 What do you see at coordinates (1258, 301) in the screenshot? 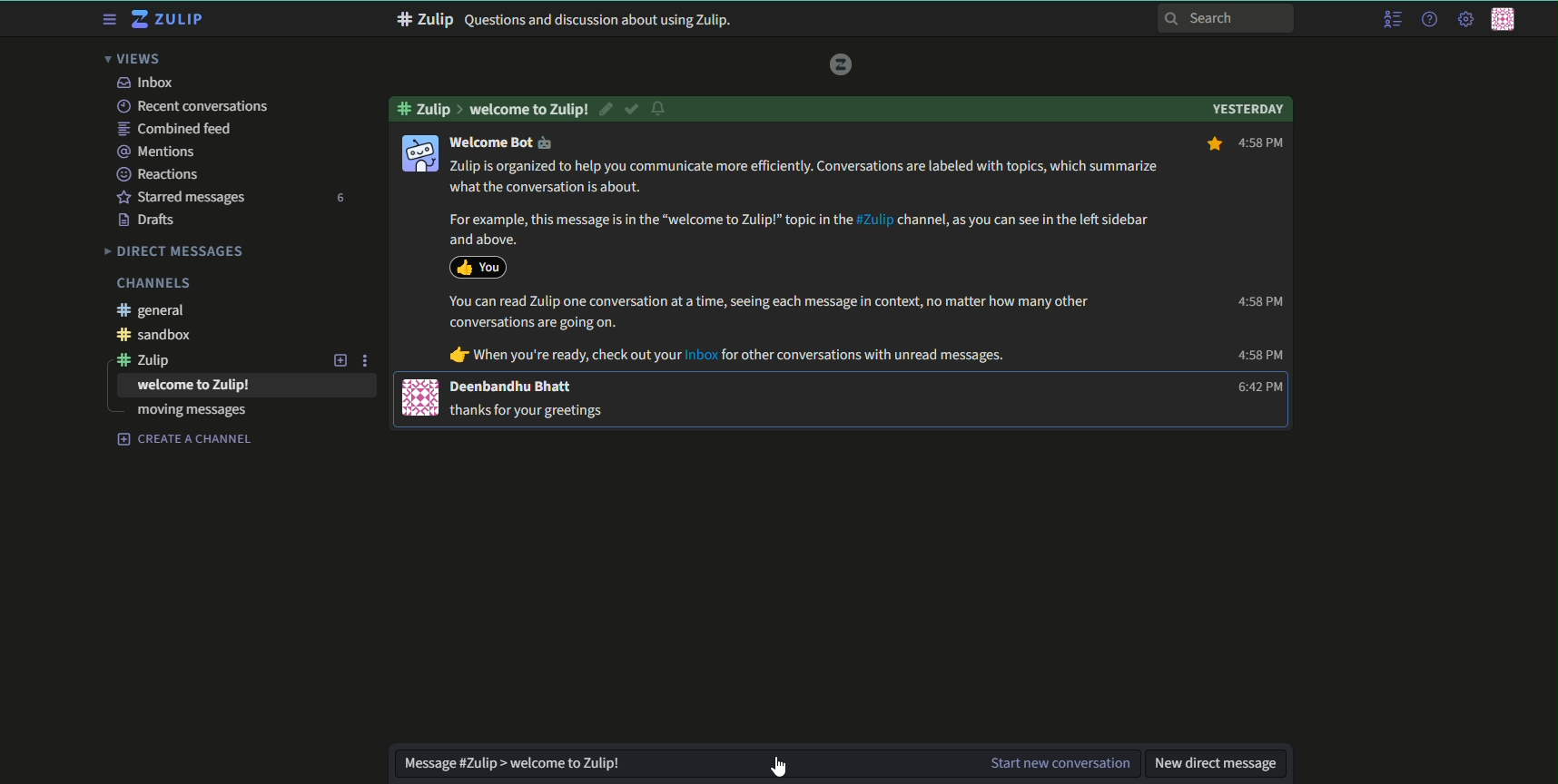
I see `4:58 PM` at bounding box center [1258, 301].